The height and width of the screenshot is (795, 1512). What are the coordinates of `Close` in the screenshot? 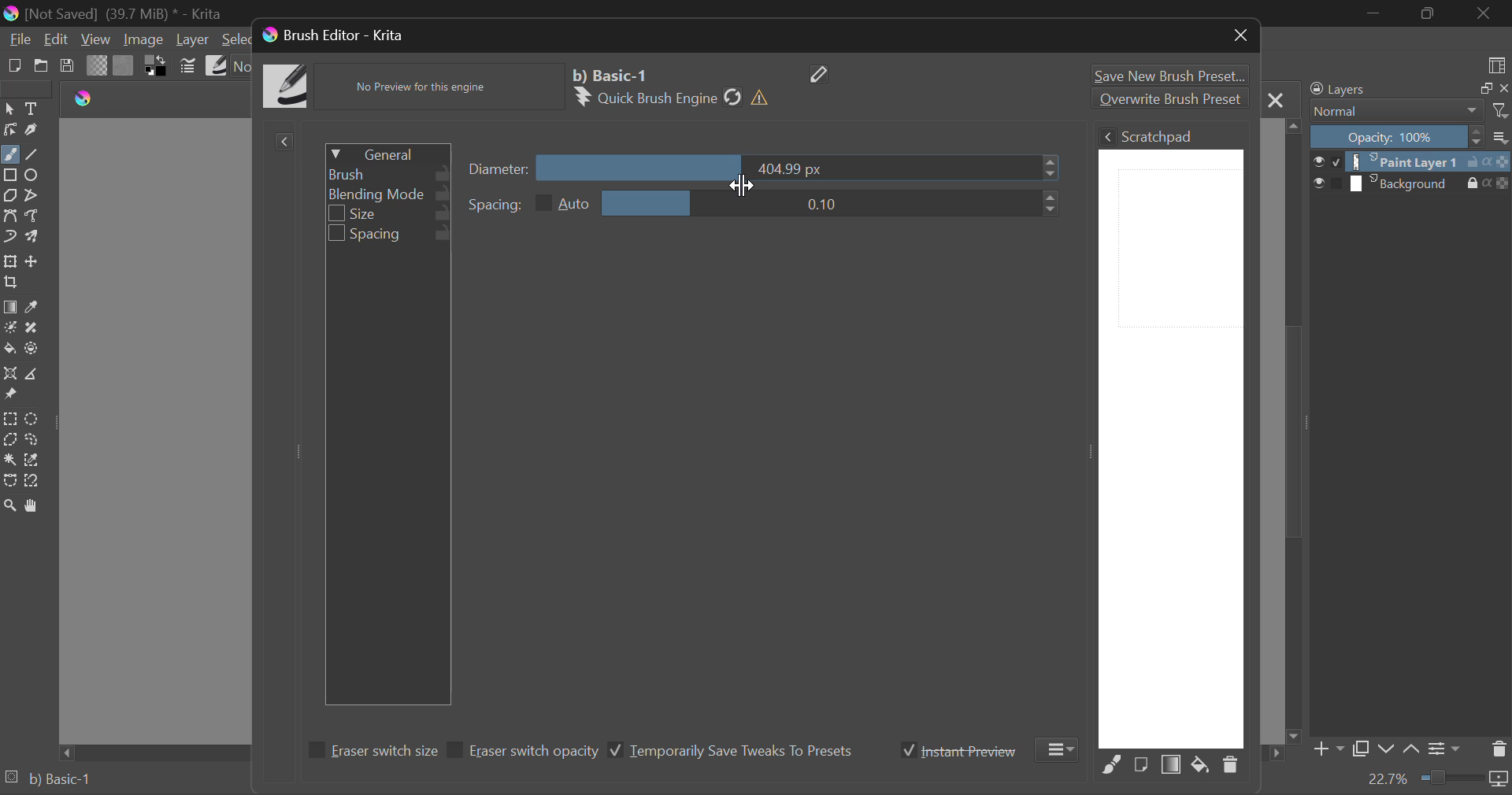 It's located at (1276, 99).